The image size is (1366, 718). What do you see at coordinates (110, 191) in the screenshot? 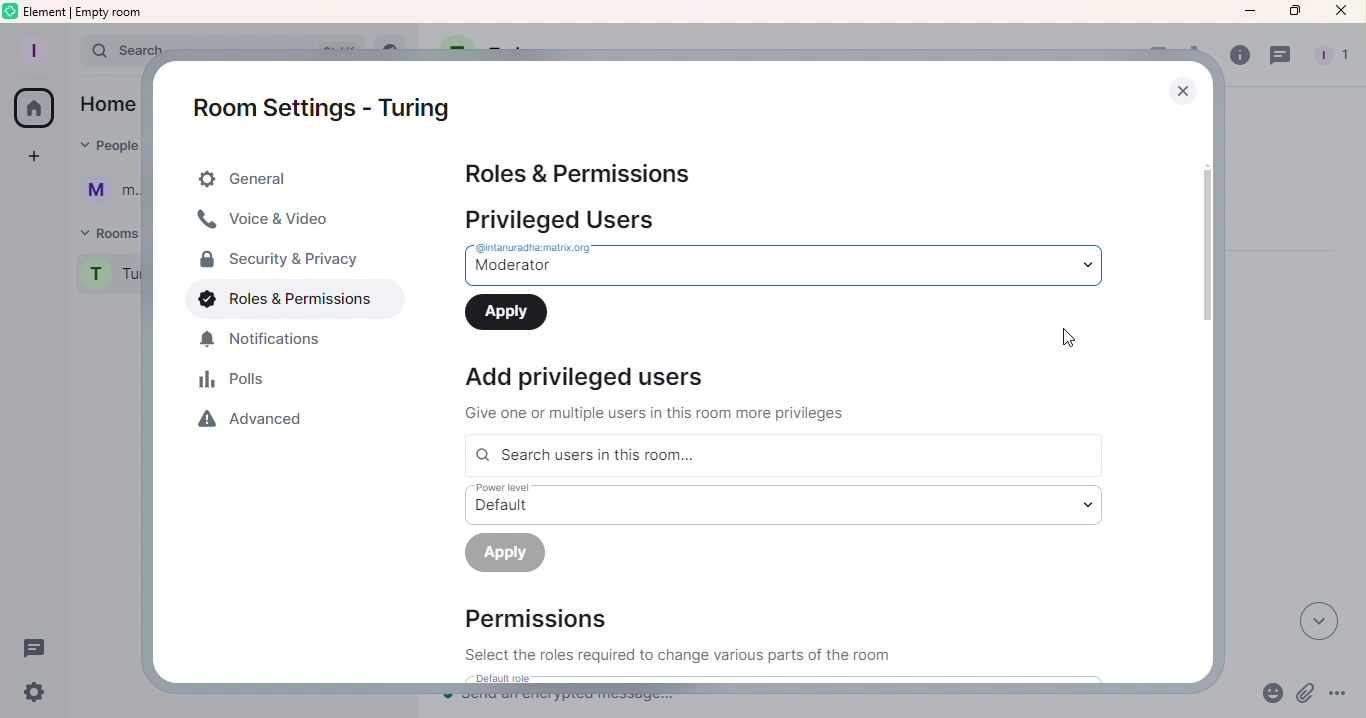
I see `User` at bounding box center [110, 191].